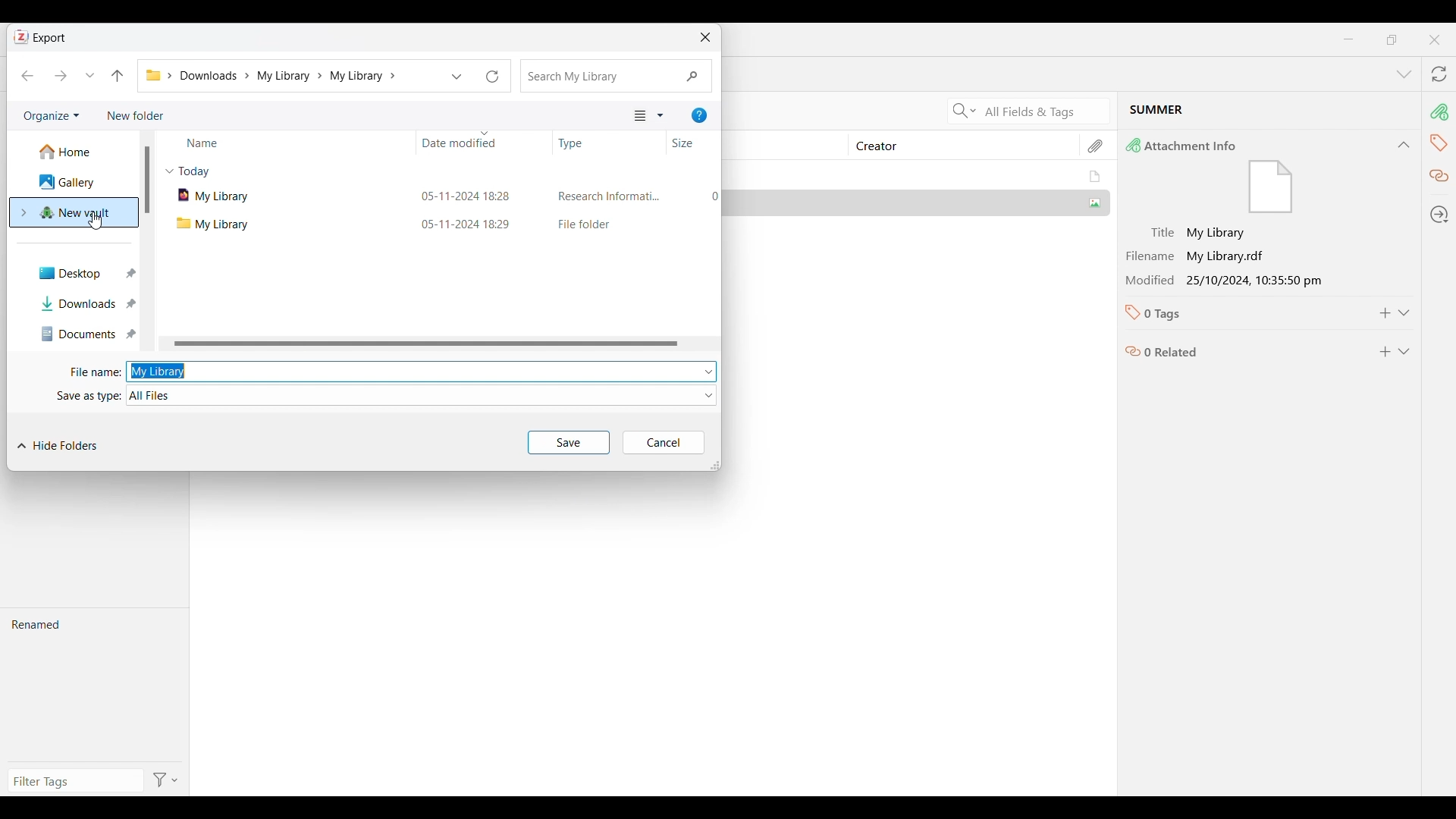 This screenshot has width=1456, height=819. What do you see at coordinates (217, 75) in the screenshot?
I see `Downloads` at bounding box center [217, 75].